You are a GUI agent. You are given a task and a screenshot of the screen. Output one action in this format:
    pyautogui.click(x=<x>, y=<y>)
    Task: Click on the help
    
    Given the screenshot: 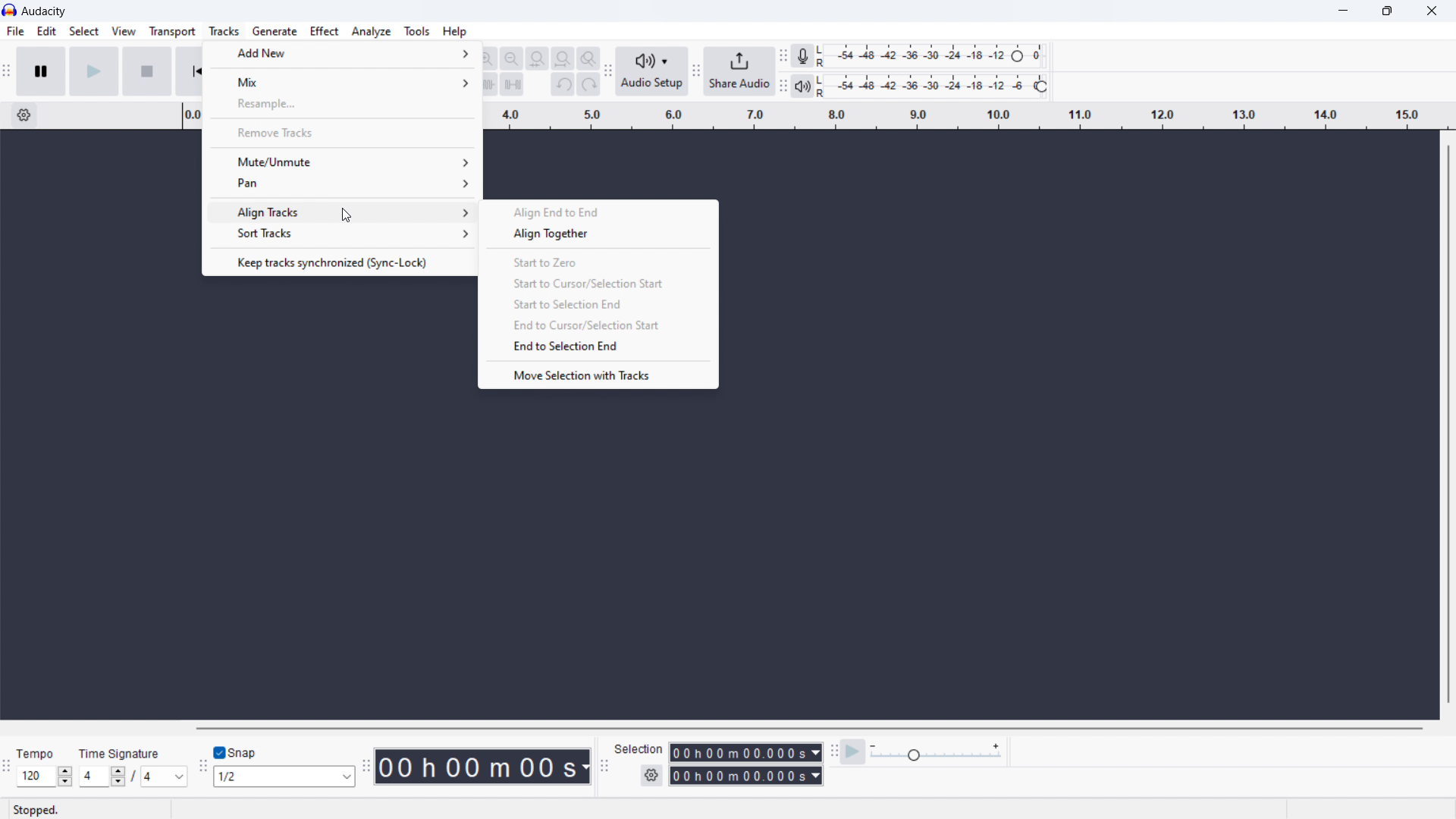 What is the action you would take?
    pyautogui.click(x=454, y=32)
    